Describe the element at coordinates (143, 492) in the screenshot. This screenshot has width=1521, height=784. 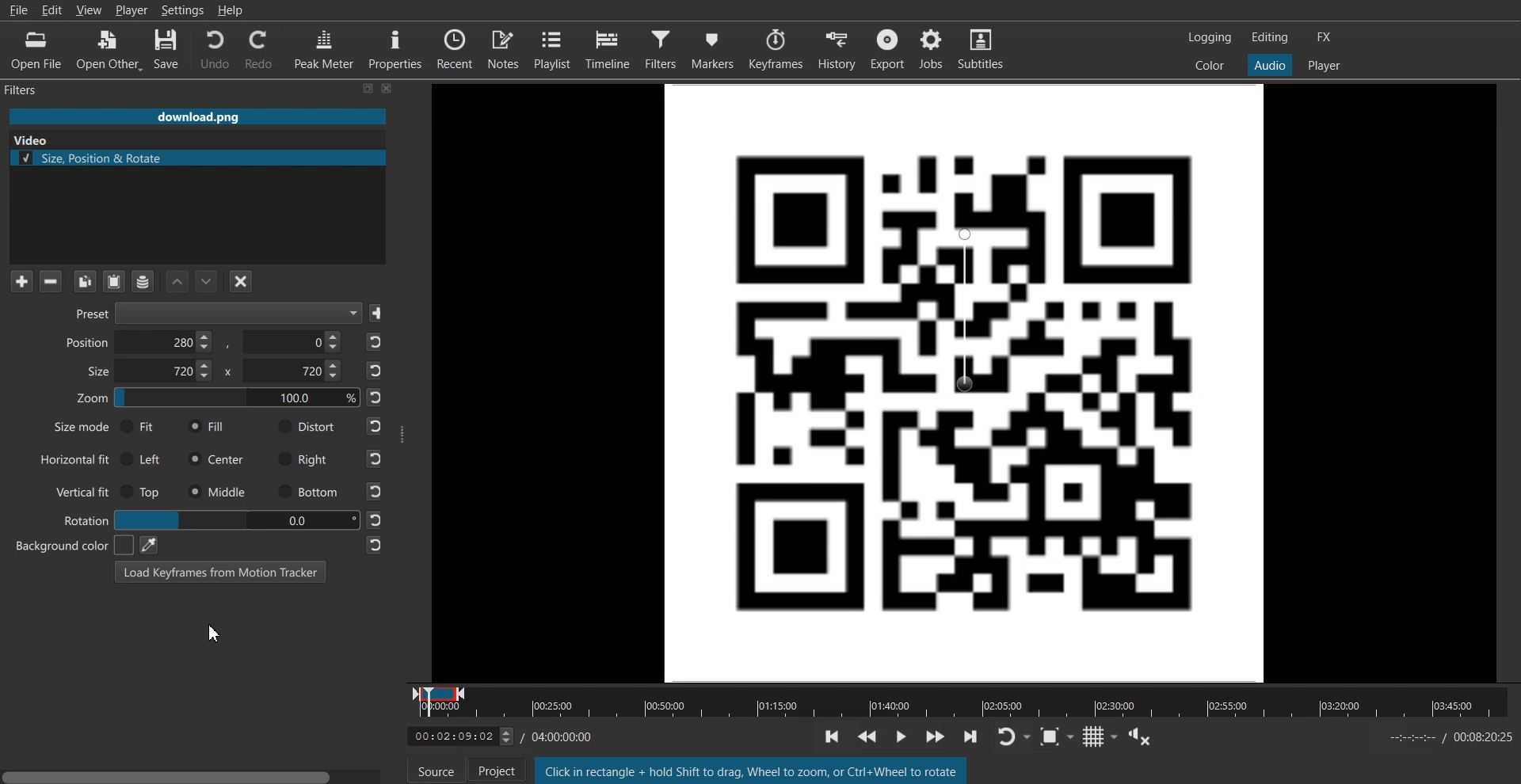
I see `Top` at that location.